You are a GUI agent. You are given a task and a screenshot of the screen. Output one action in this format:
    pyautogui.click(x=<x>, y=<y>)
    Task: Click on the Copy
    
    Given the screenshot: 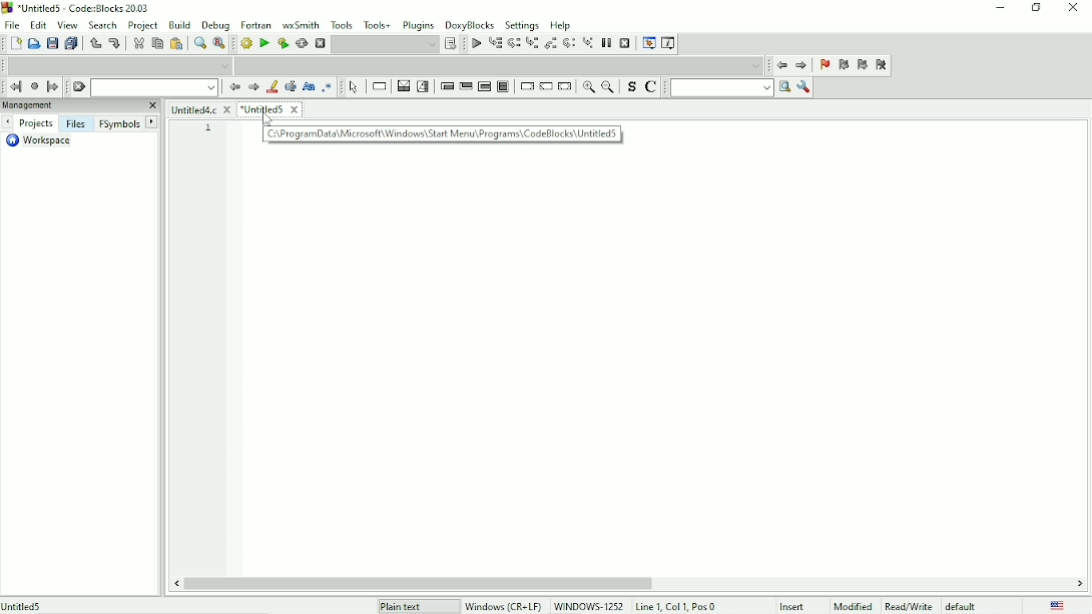 What is the action you would take?
    pyautogui.click(x=157, y=44)
    